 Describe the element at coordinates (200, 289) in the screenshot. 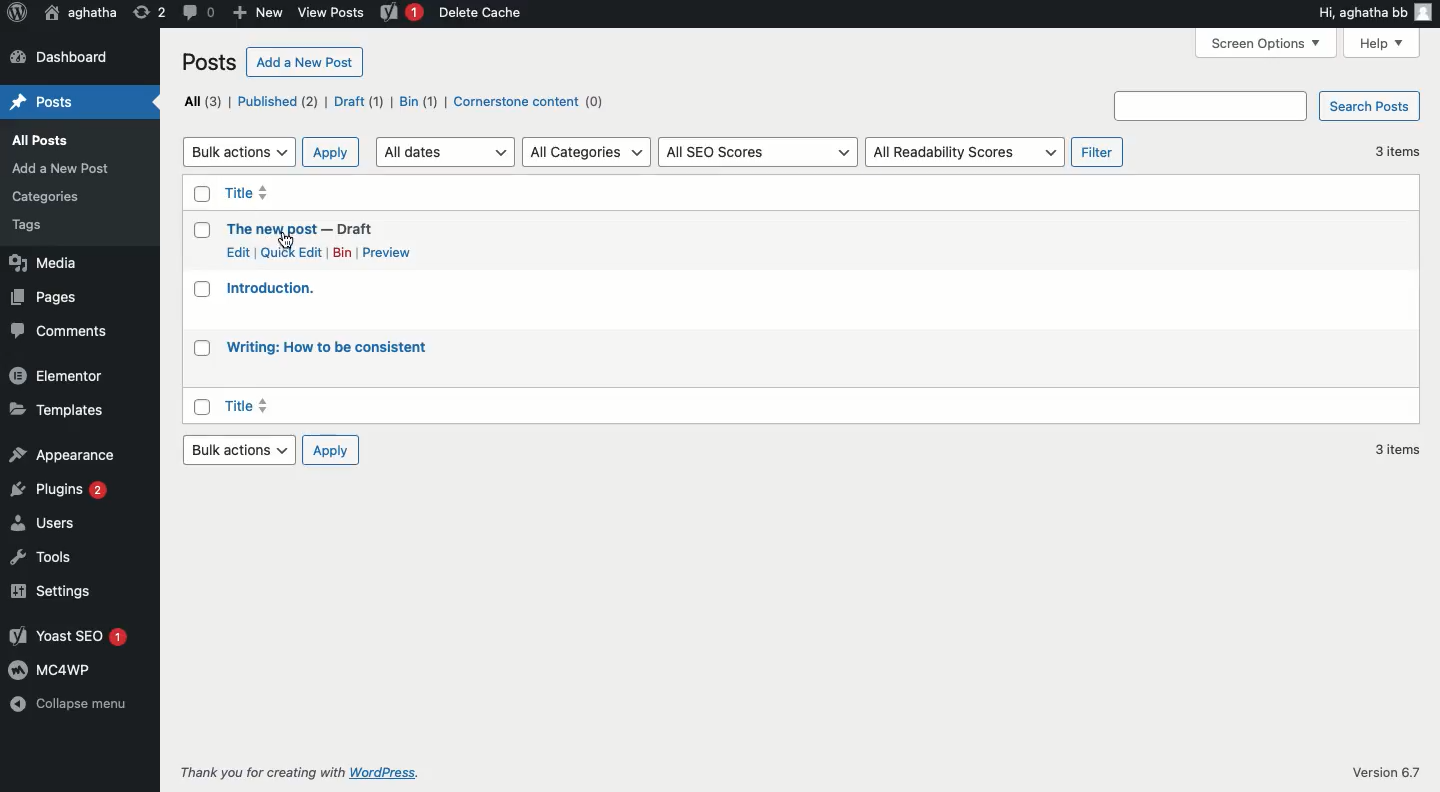

I see `Check box` at that location.